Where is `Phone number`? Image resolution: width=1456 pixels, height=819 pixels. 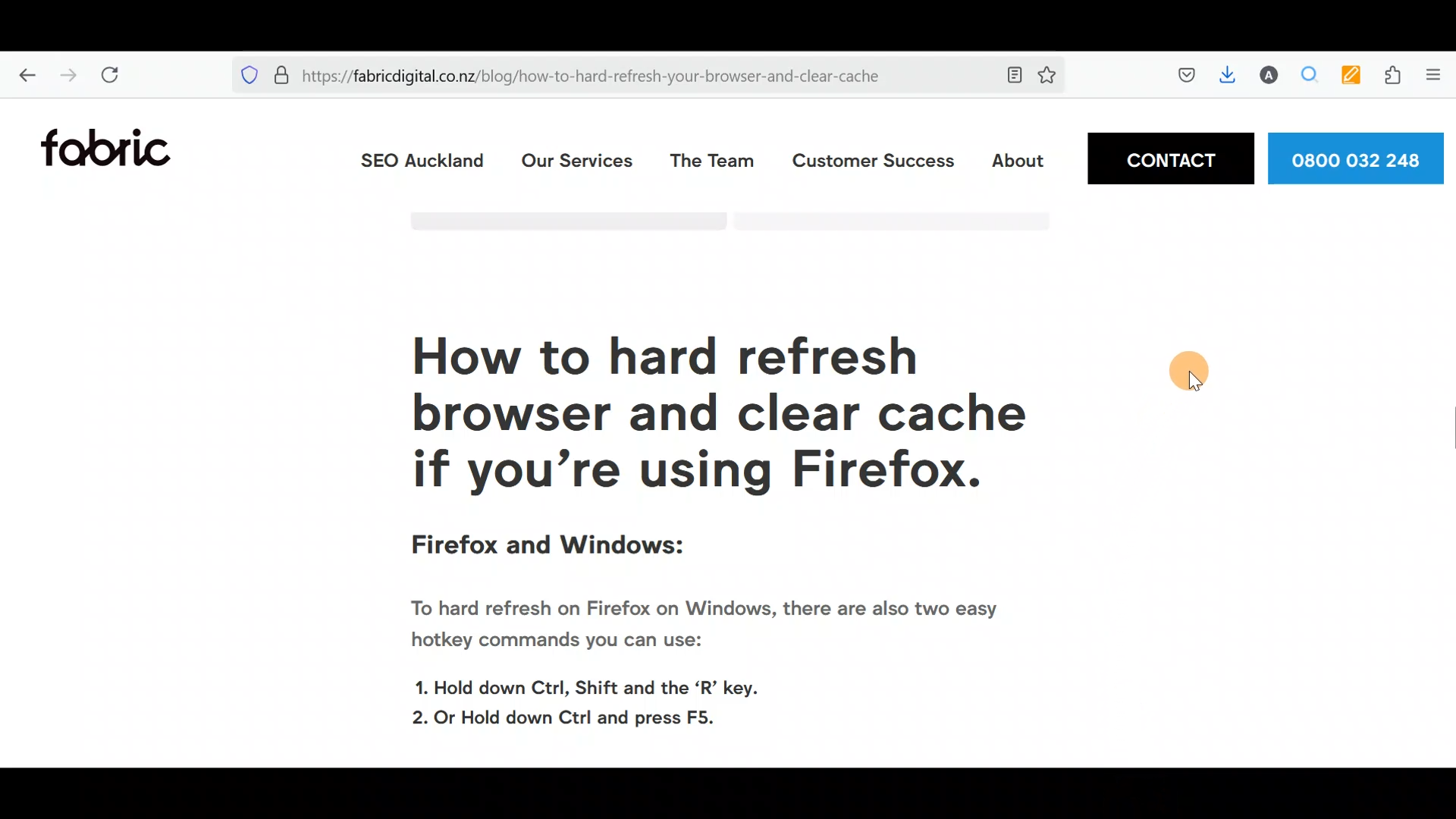 Phone number is located at coordinates (1358, 157).